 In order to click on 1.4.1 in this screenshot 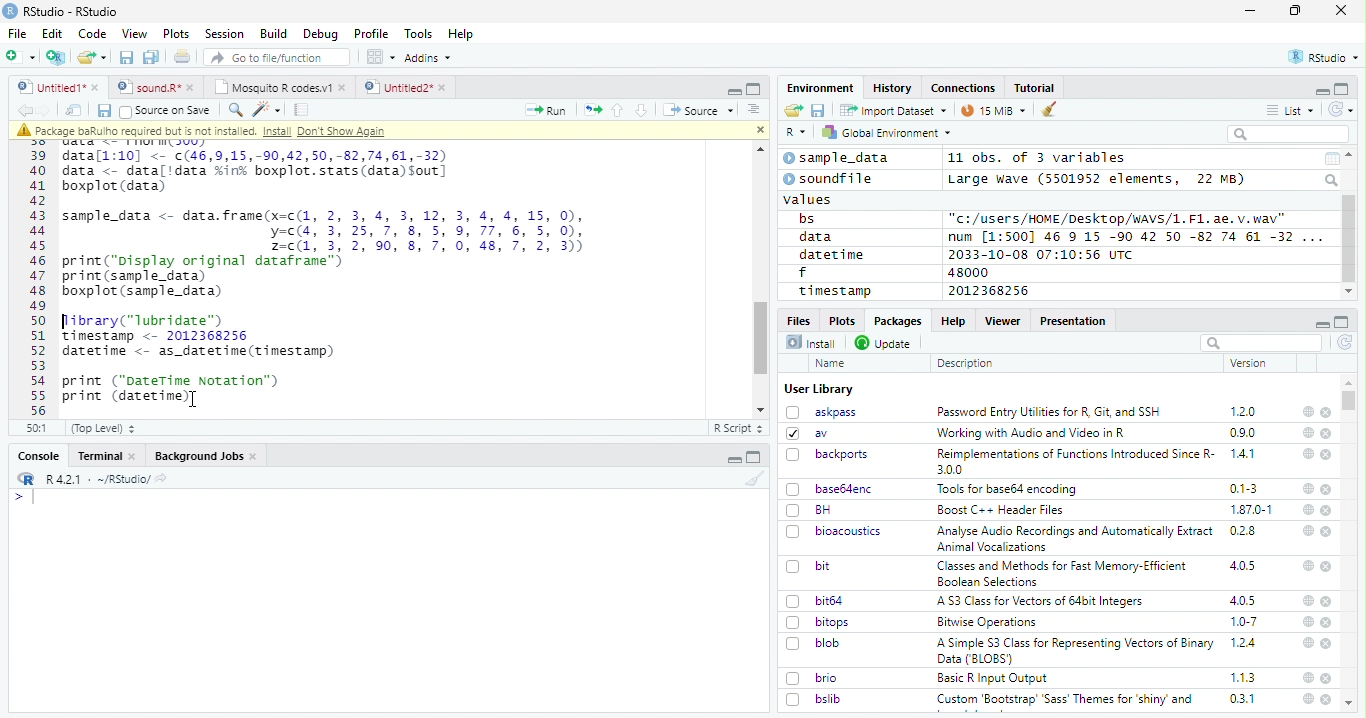, I will do `click(1244, 453)`.